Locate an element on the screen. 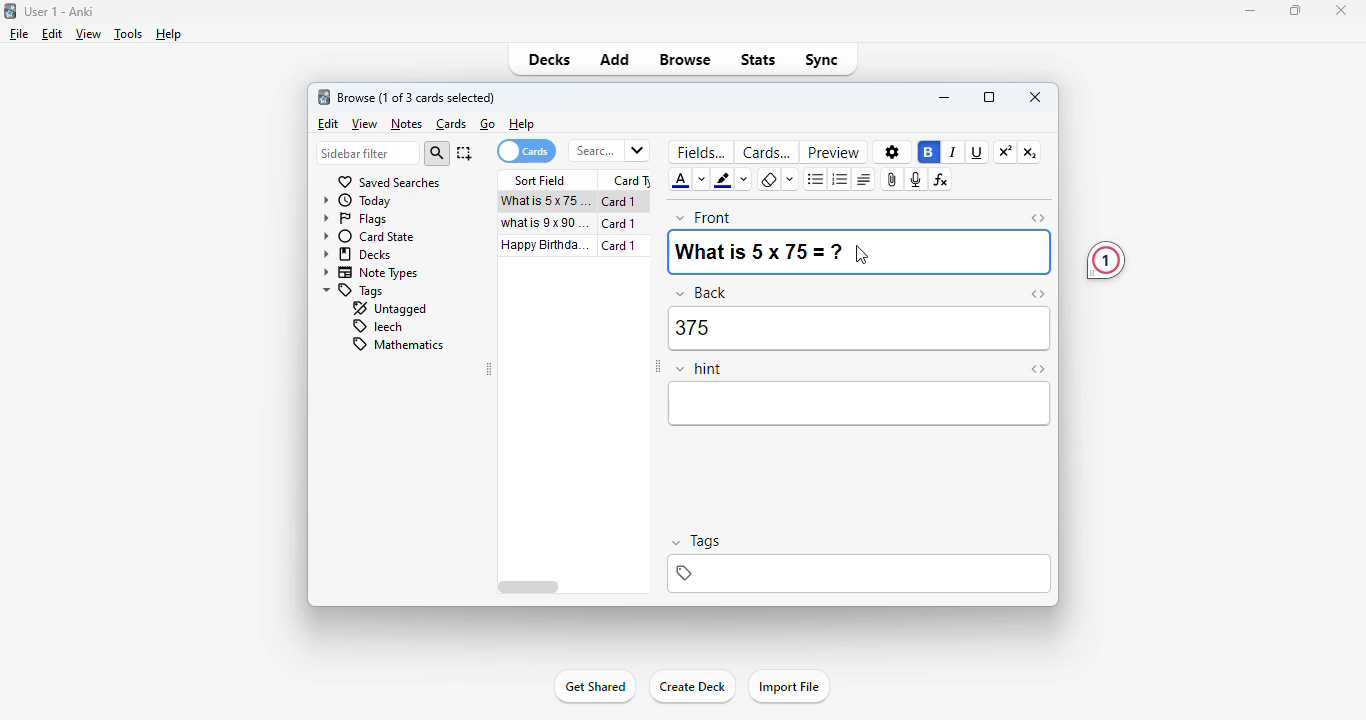 The image size is (1366, 720). cursor is located at coordinates (862, 254).